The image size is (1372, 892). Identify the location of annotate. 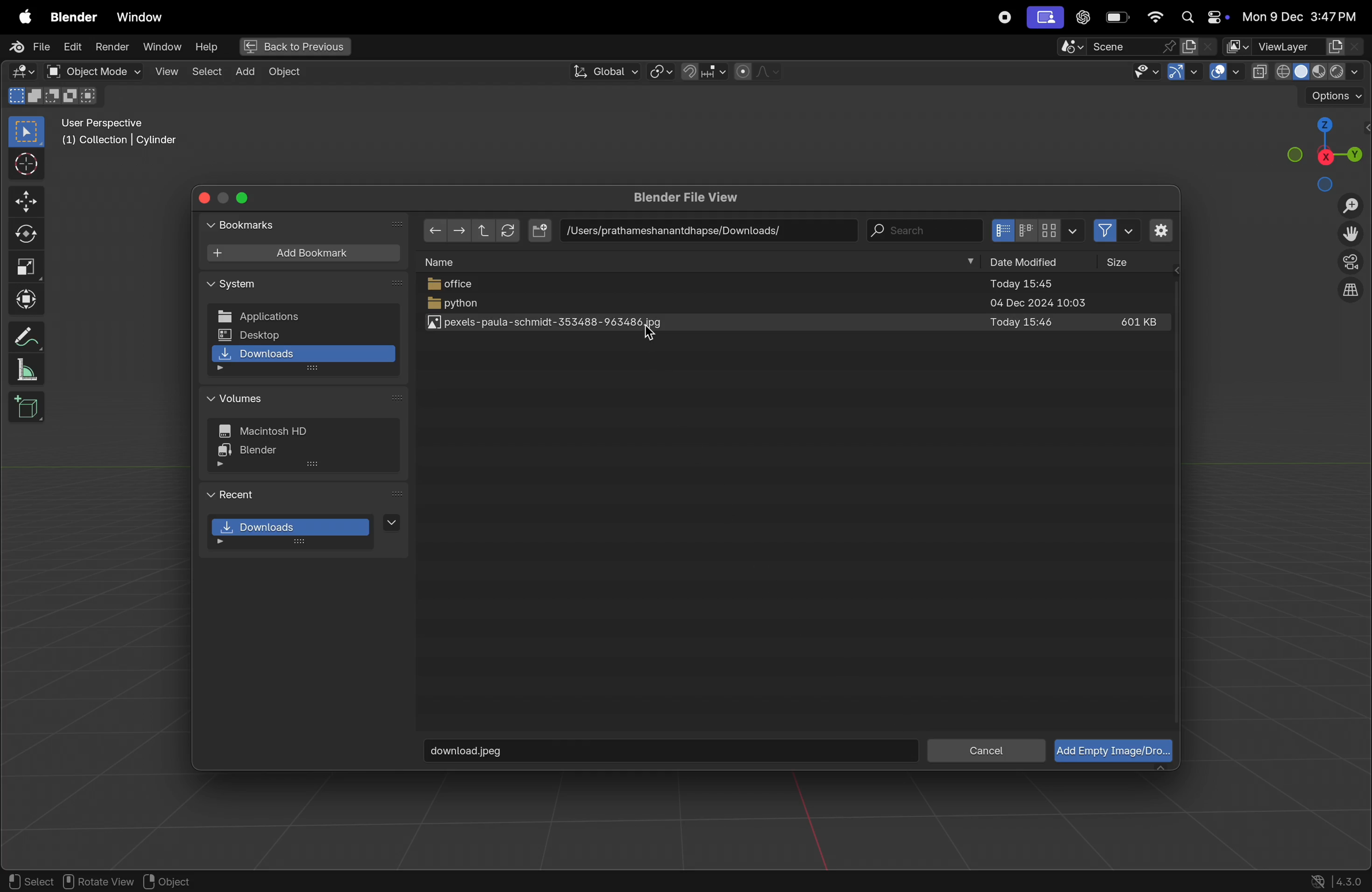
(24, 337).